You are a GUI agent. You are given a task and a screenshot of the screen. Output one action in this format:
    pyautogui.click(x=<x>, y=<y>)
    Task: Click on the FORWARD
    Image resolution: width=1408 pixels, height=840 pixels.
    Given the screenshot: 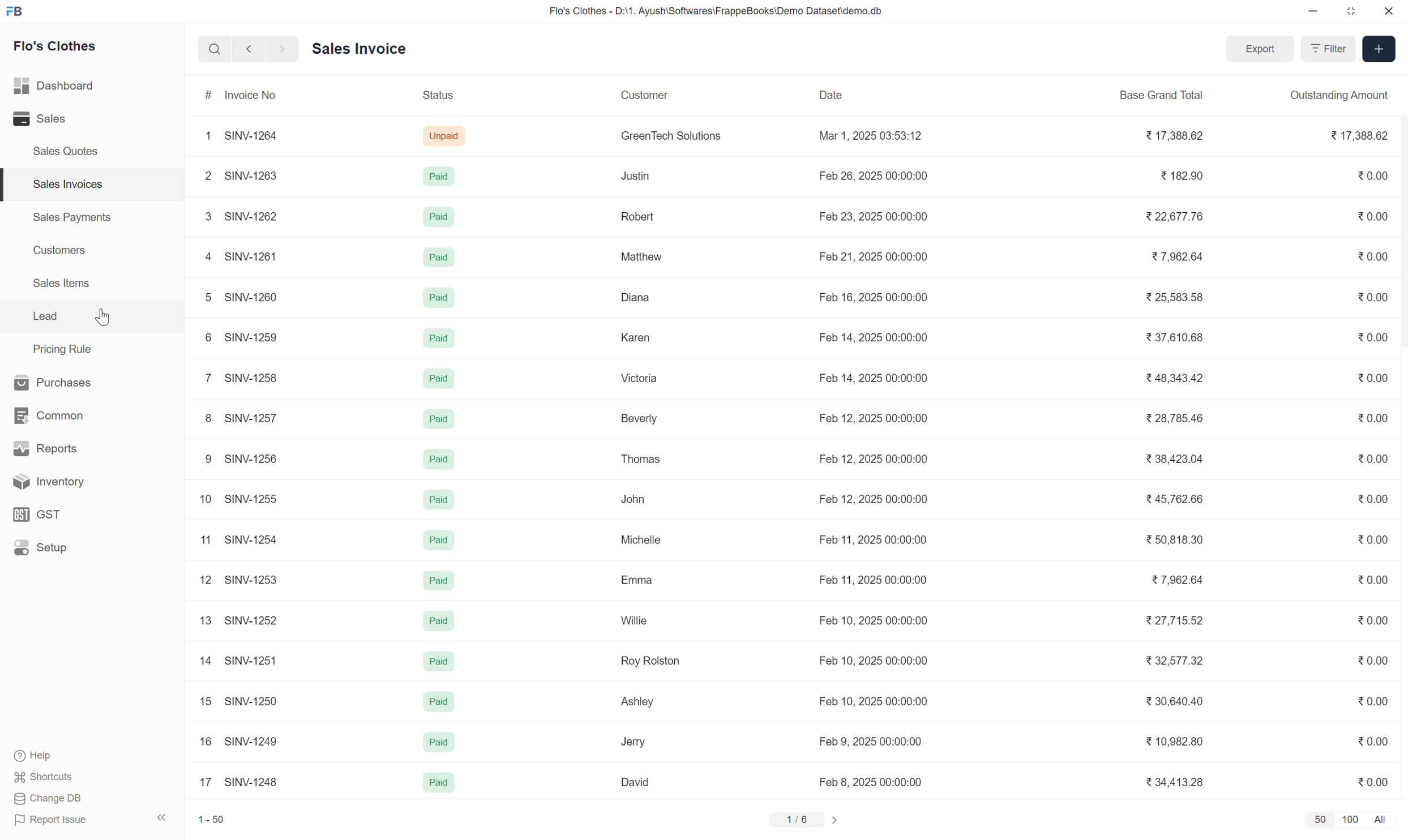 What is the action you would take?
    pyautogui.click(x=284, y=49)
    